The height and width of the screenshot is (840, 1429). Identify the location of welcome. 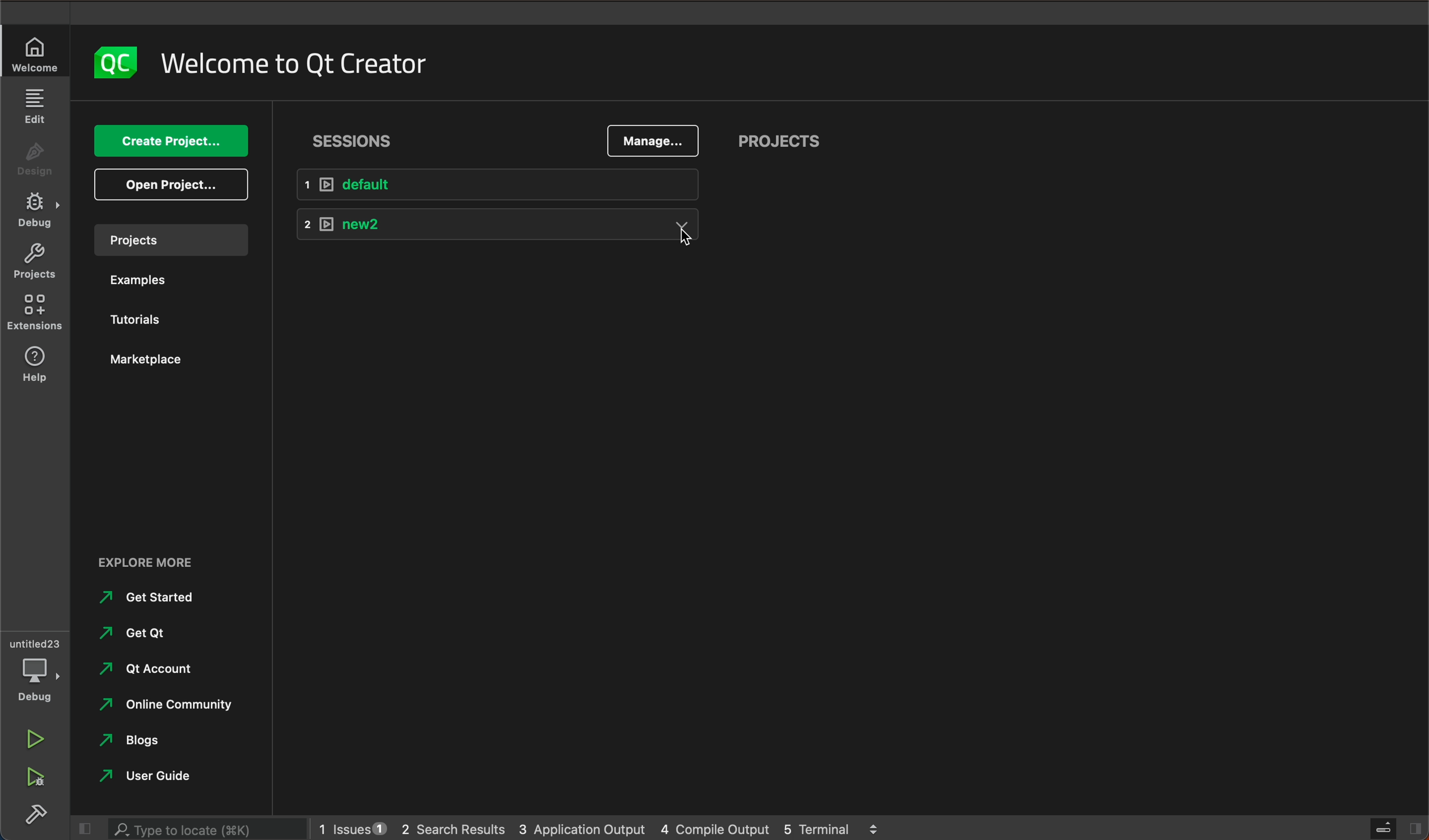
(33, 55).